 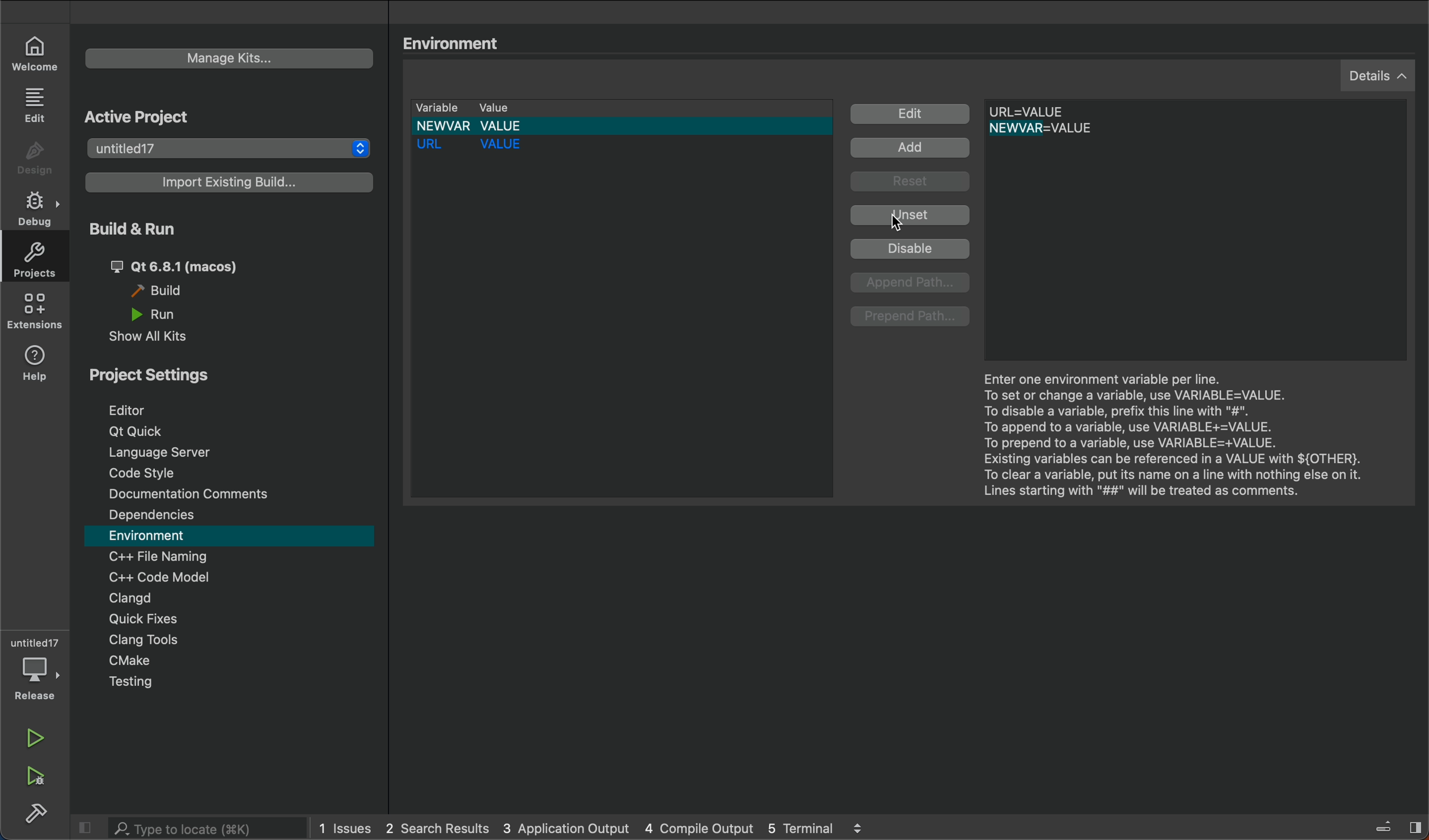 What do you see at coordinates (191, 828) in the screenshot?
I see `search` at bounding box center [191, 828].